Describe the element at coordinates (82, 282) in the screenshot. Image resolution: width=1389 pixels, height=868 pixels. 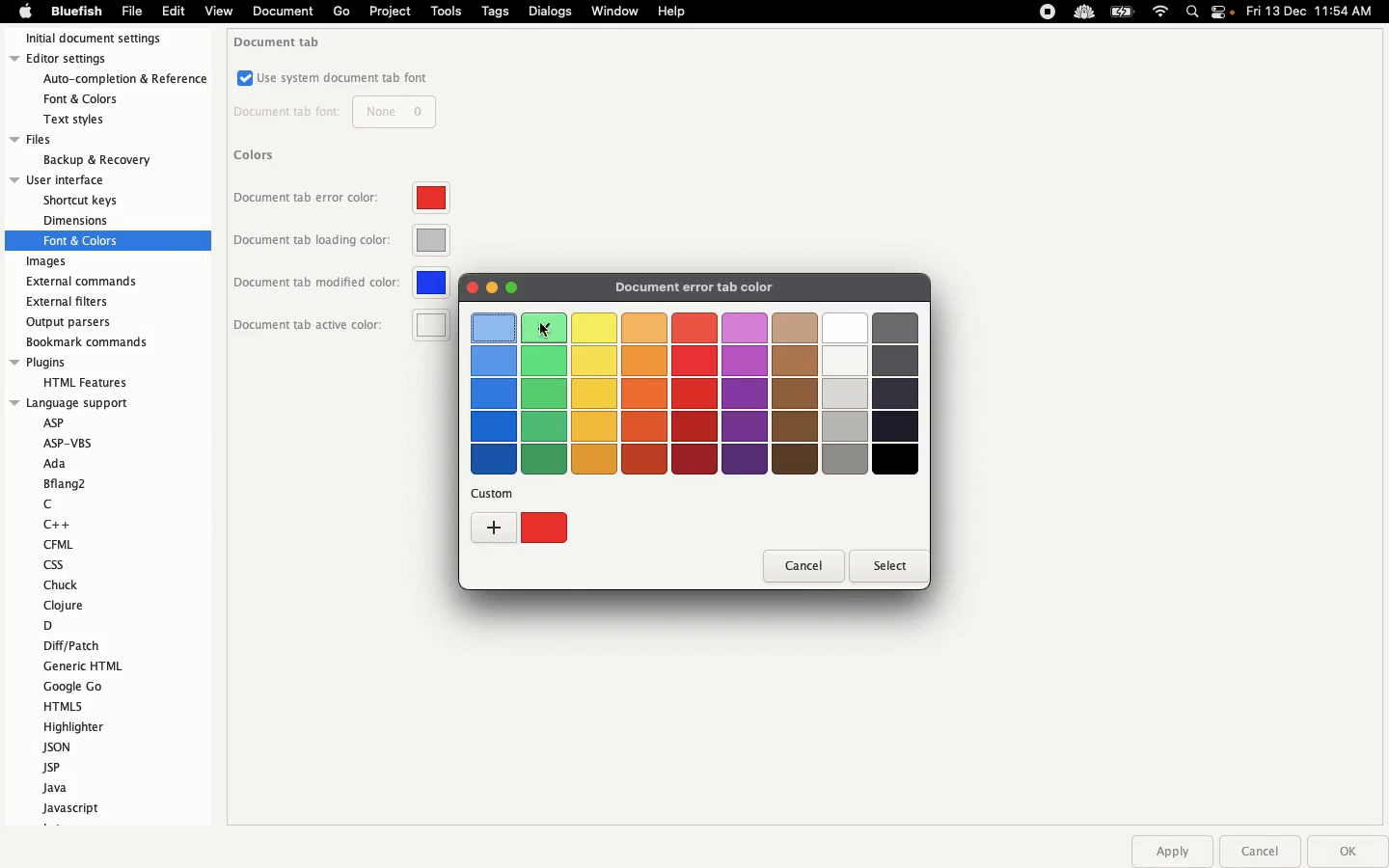
I see `External commands` at that location.